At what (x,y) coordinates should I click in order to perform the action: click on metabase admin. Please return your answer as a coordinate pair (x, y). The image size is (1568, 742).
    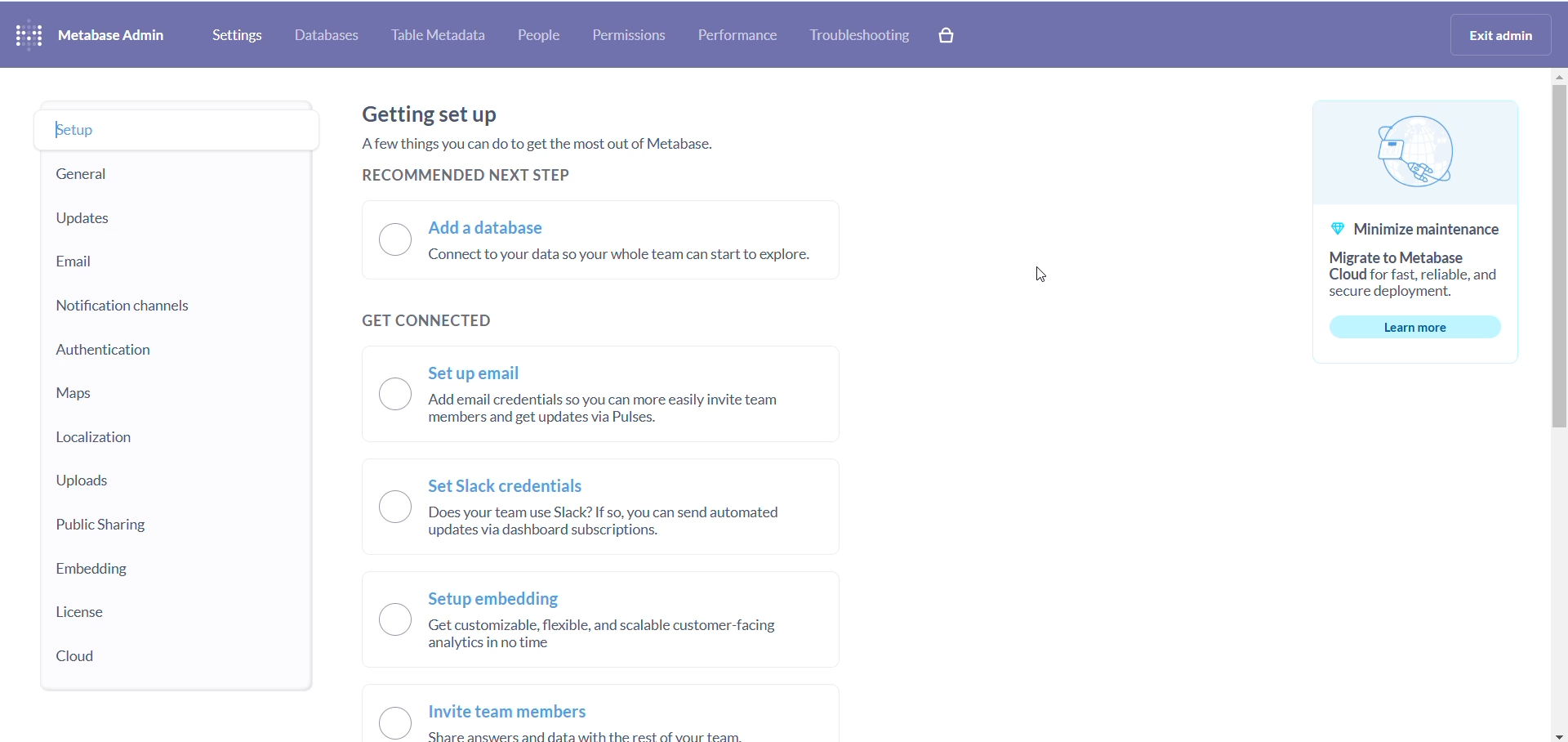
    Looking at the image, I should click on (114, 37).